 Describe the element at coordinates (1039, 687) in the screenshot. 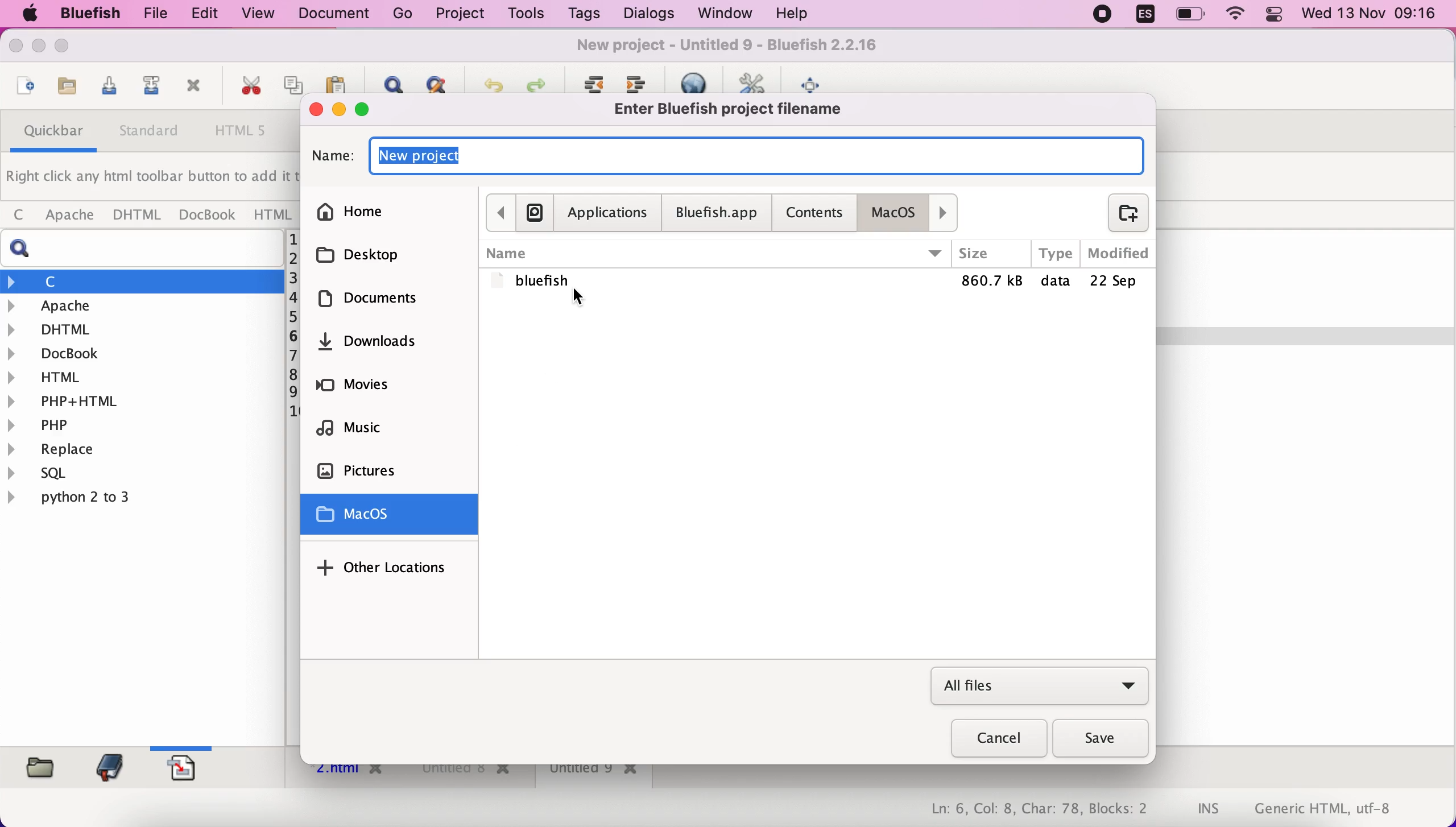

I see `all files` at that location.